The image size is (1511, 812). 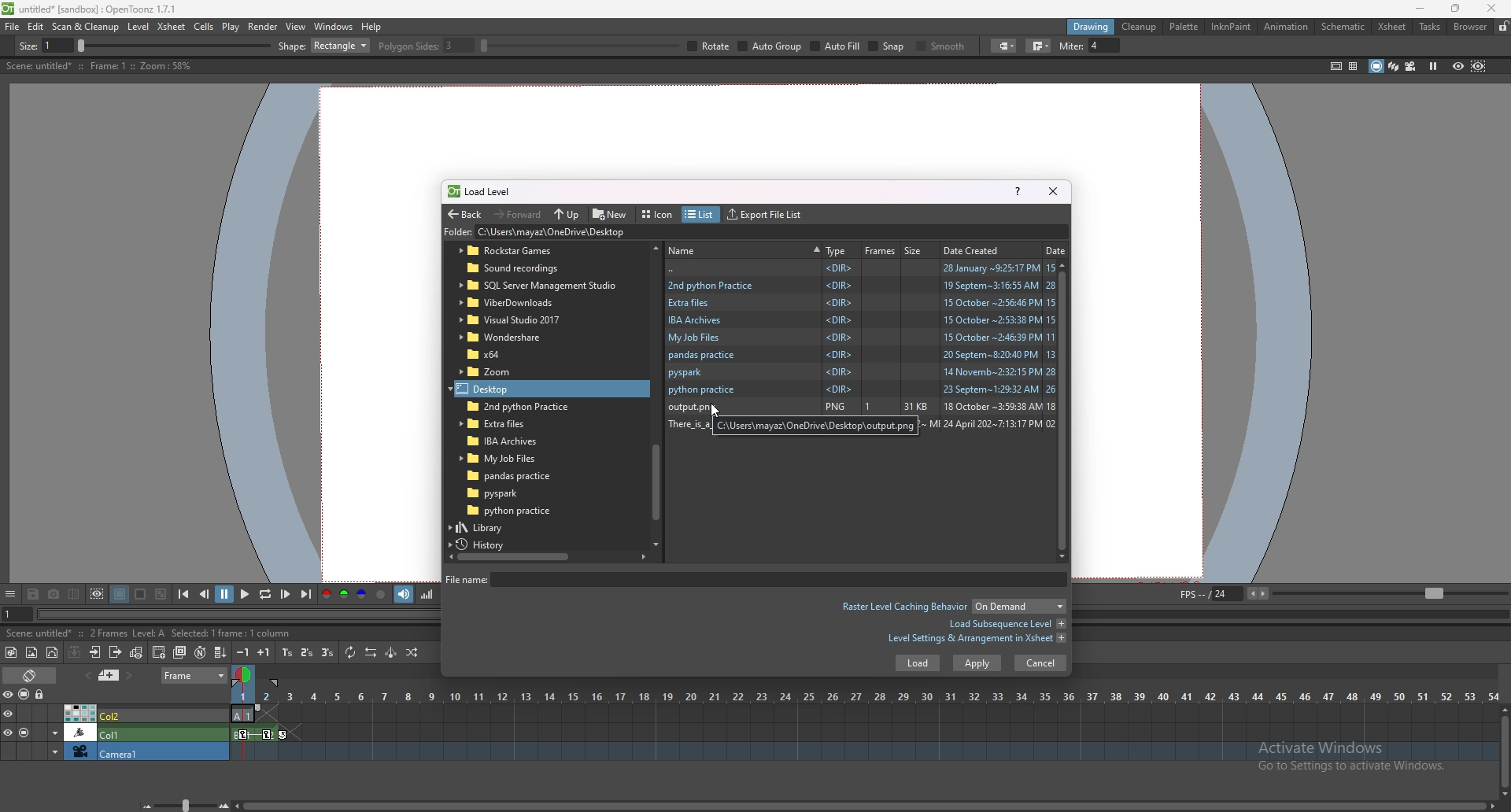 What do you see at coordinates (917, 663) in the screenshot?
I see `load` at bounding box center [917, 663].